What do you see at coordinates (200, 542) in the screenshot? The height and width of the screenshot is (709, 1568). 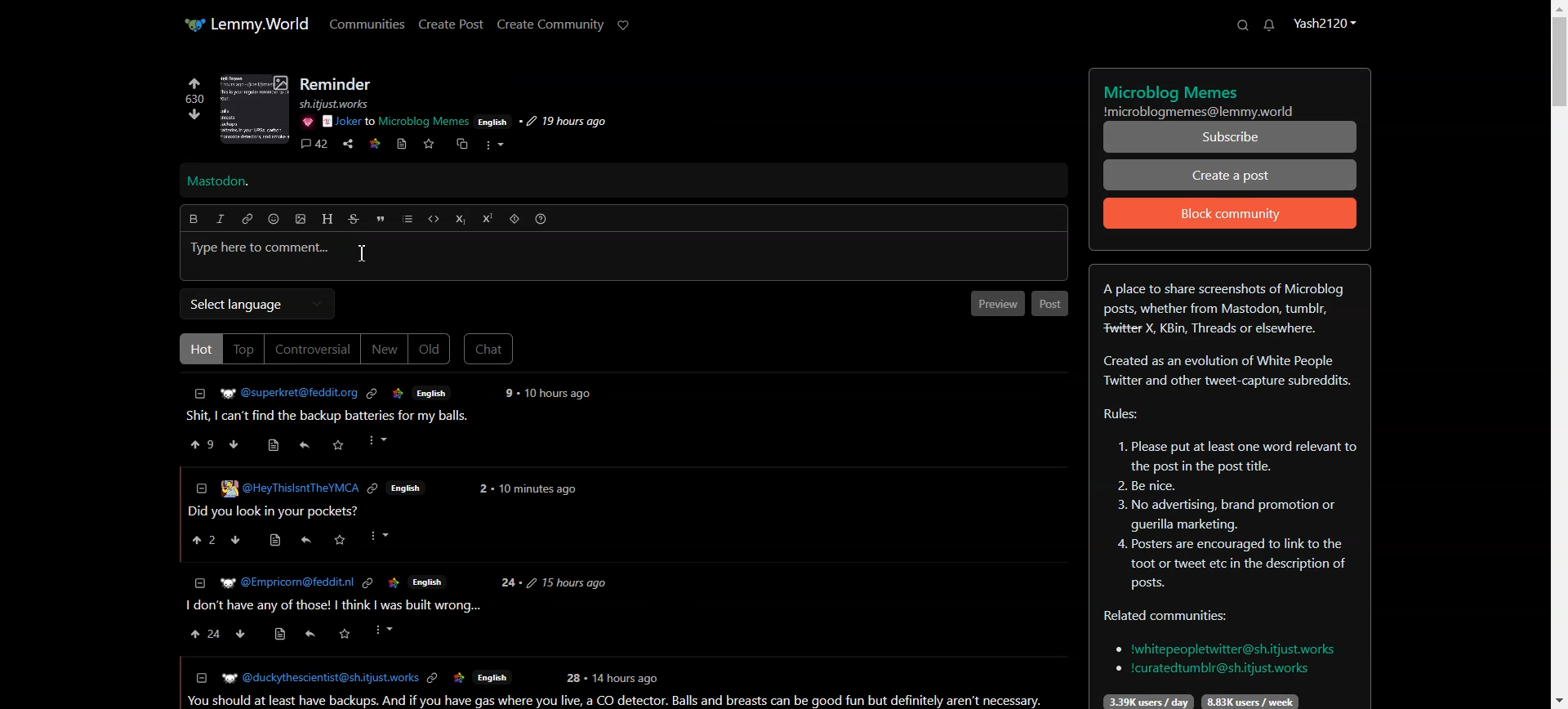 I see `» 2` at bounding box center [200, 542].